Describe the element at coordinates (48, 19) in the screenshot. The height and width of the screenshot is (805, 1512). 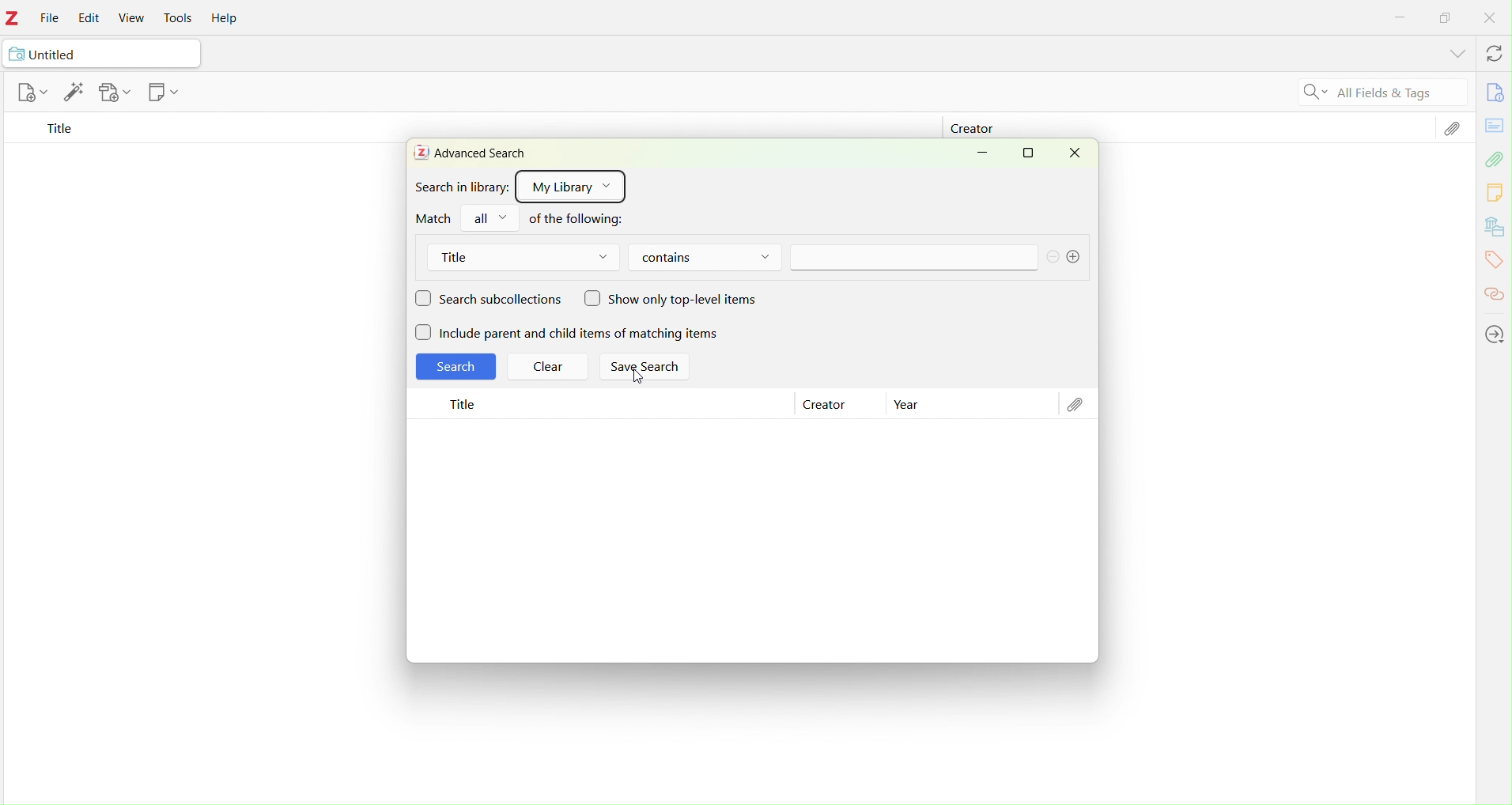
I see `File` at that location.